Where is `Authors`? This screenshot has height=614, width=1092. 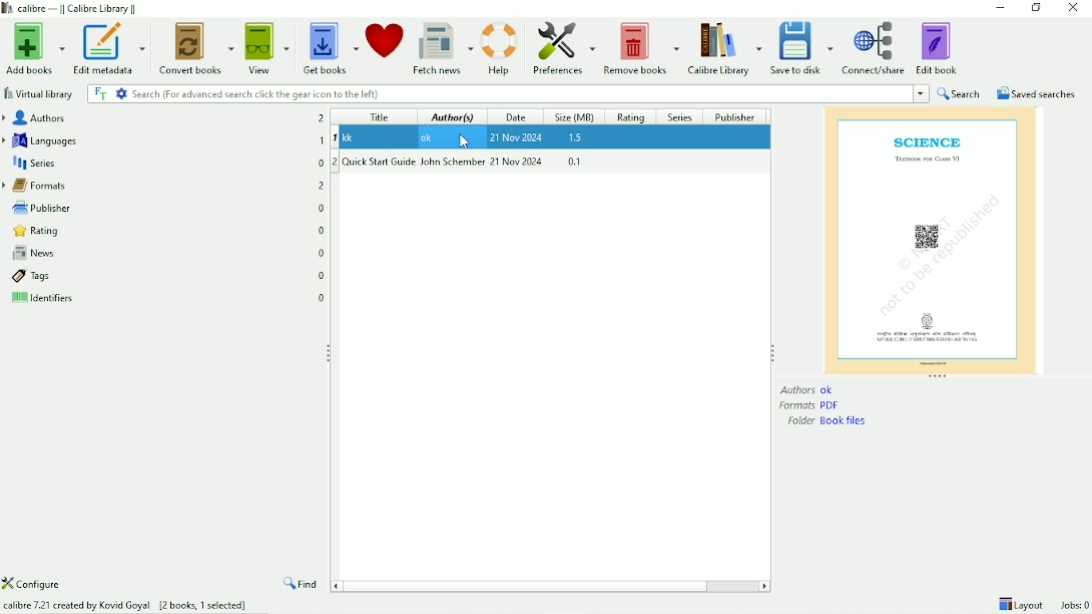
Authors is located at coordinates (815, 389).